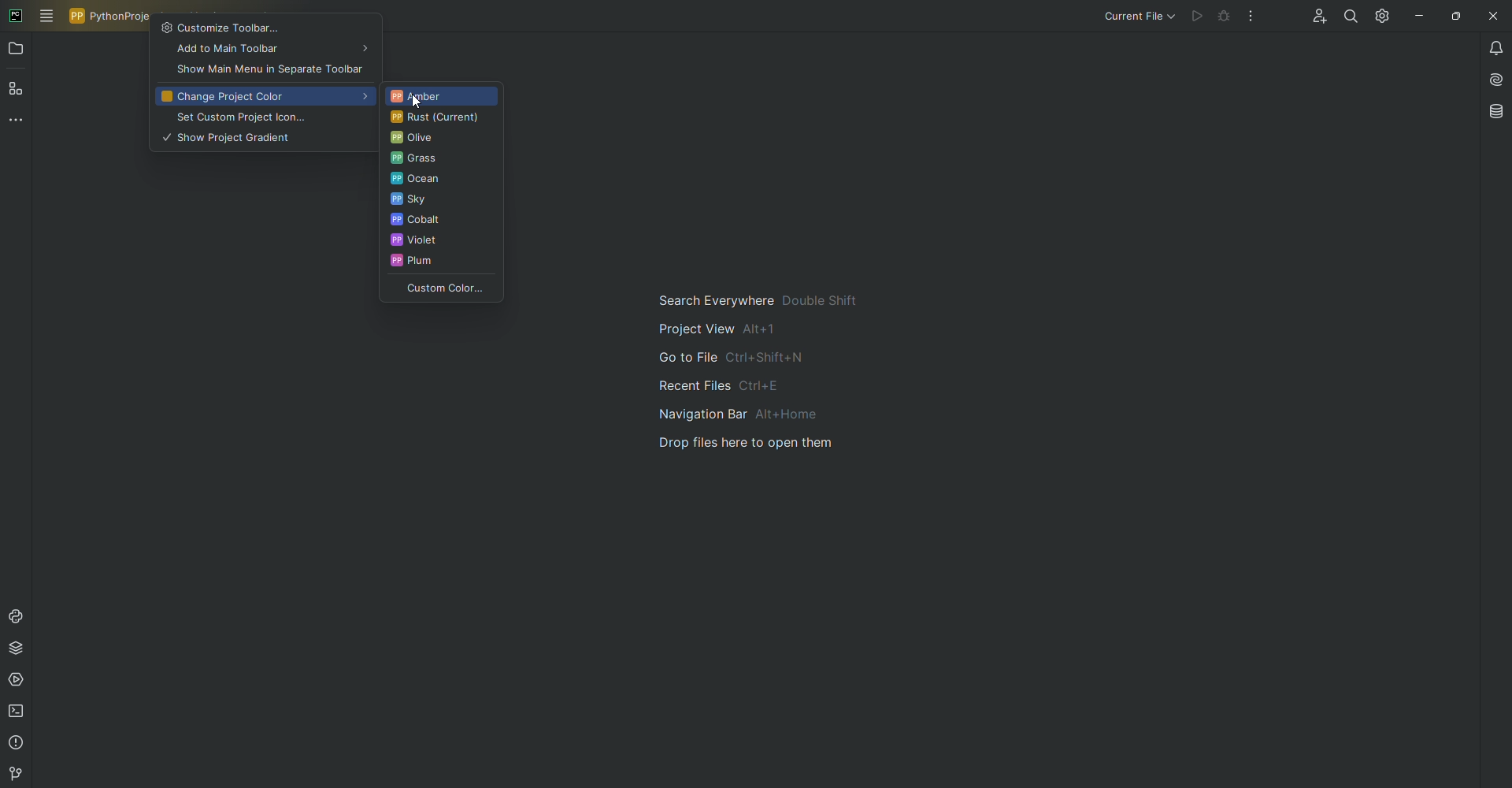 This screenshot has height=788, width=1512. What do you see at coordinates (1380, 16) in the screenshot?
I see `Setings` at bounding box center [1380, 16].